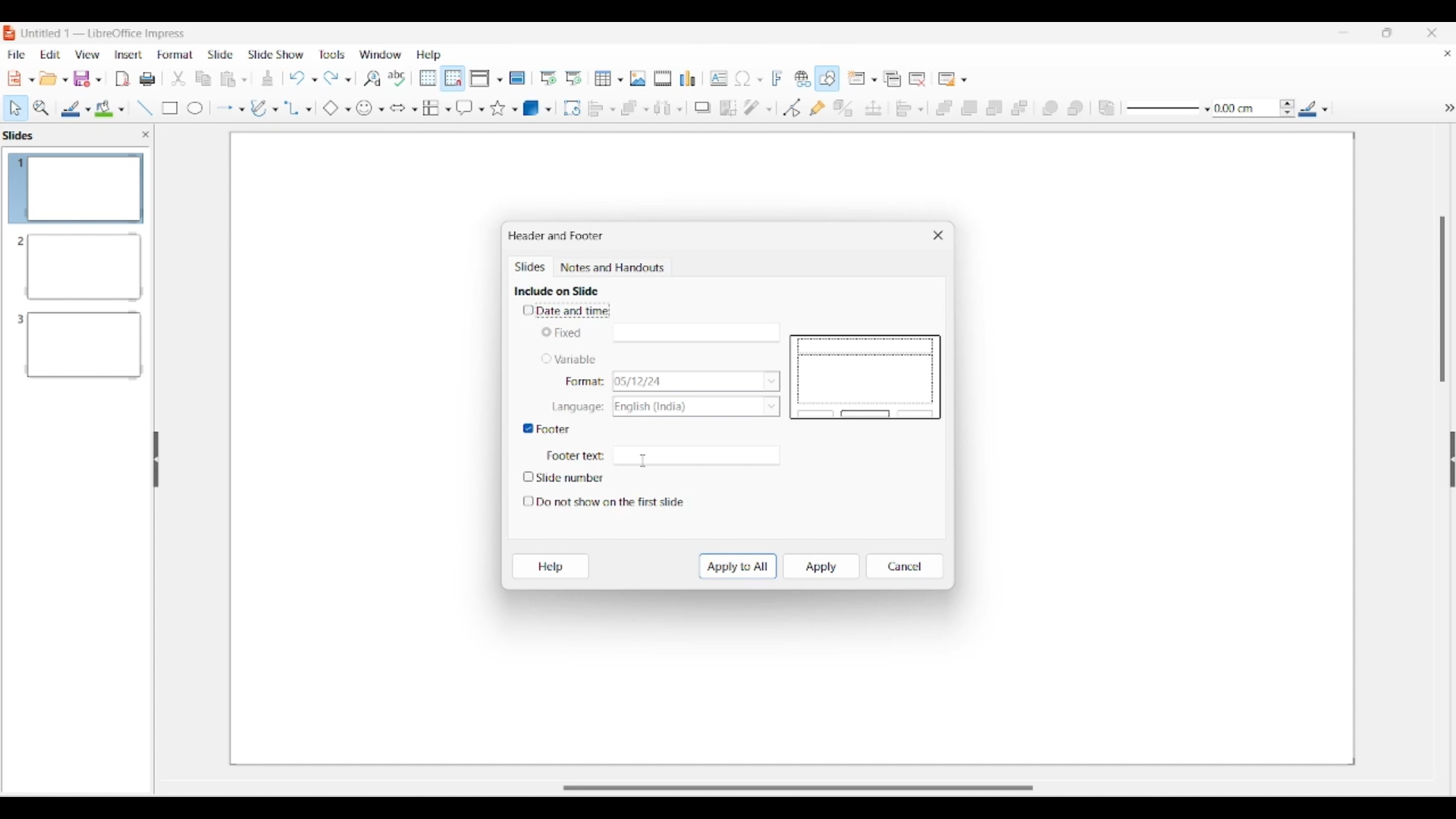  What do you see at coordinates (938, 235) in the screenshot?
I see `Close window` at bounding box center [938, 235].